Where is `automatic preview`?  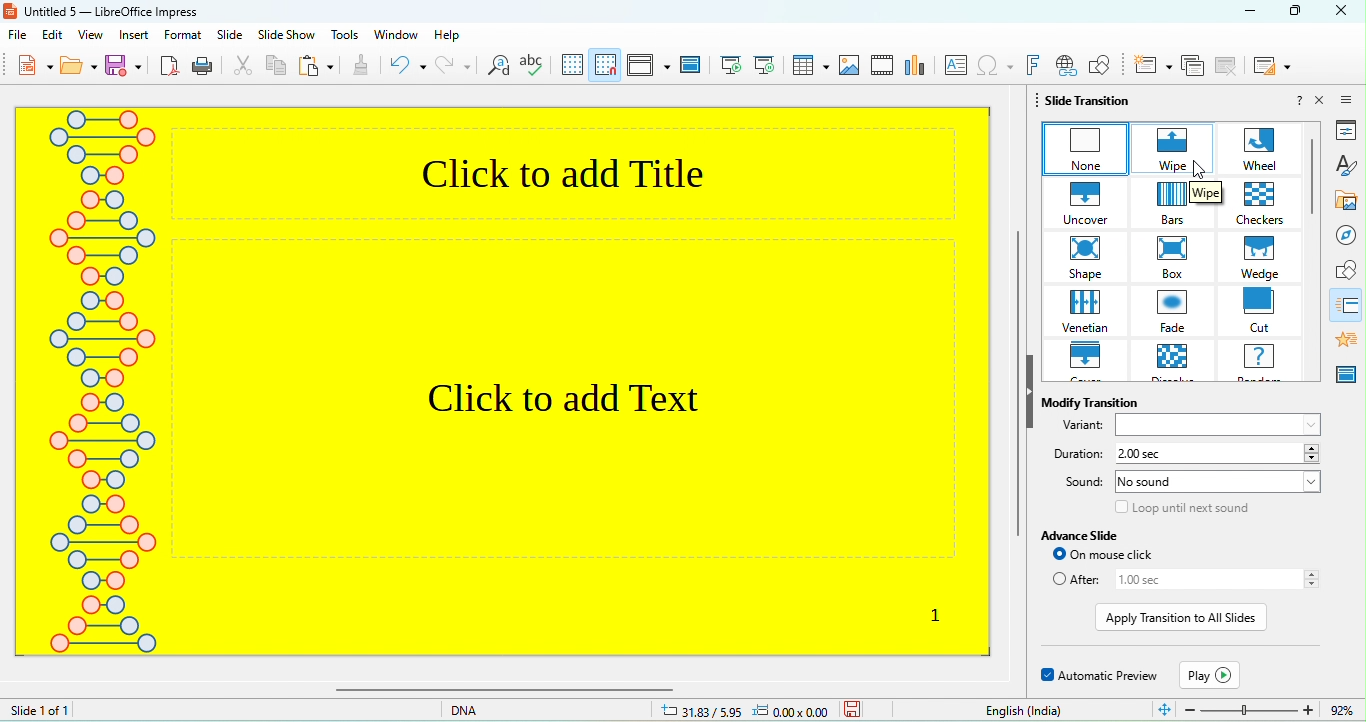 automatic preview is located at coordinates (1097, 676).